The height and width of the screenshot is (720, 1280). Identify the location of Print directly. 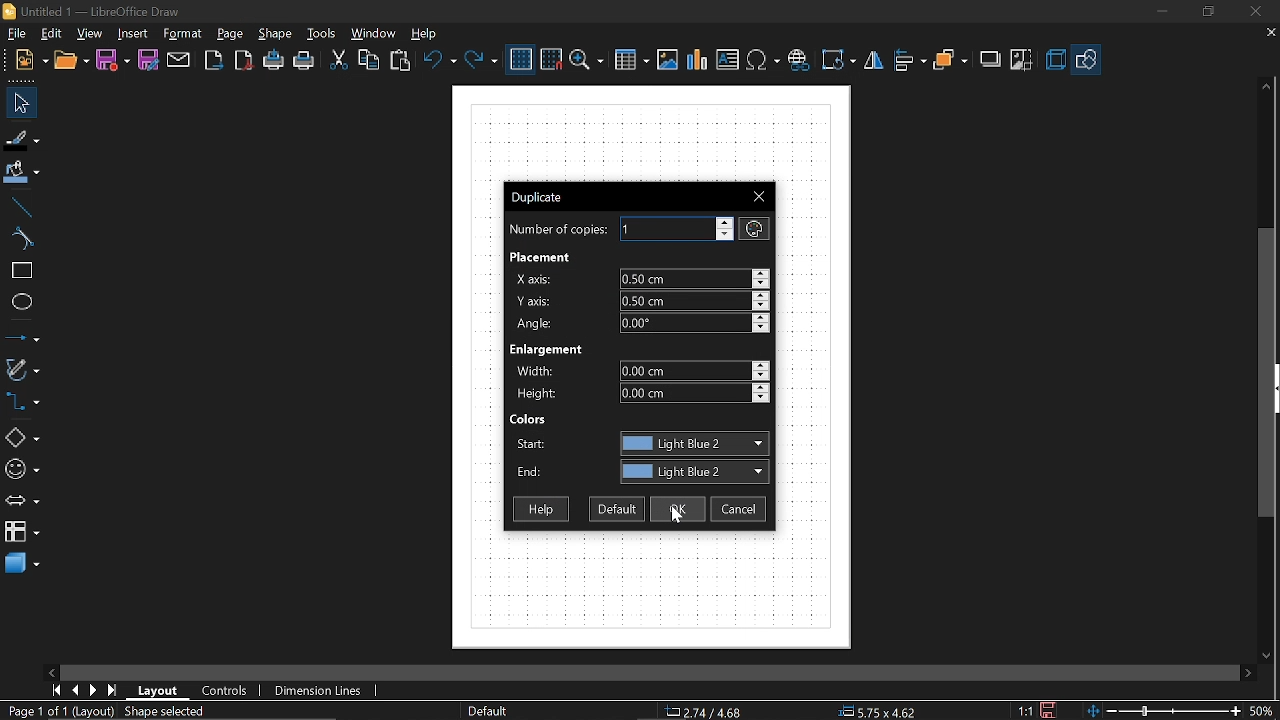
(274, 61).